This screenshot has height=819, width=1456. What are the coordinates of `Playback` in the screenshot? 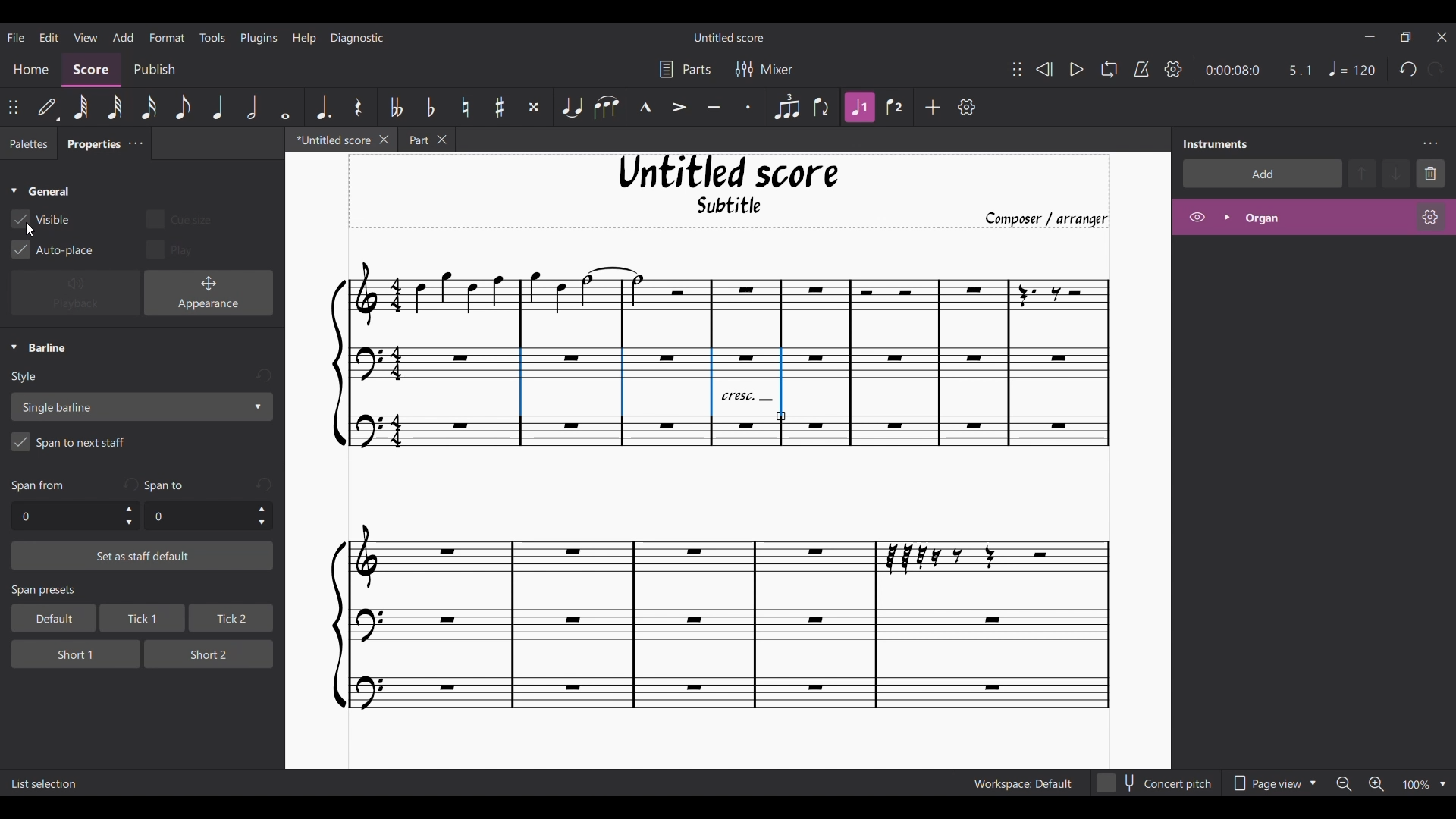 It's located at (76, 293).